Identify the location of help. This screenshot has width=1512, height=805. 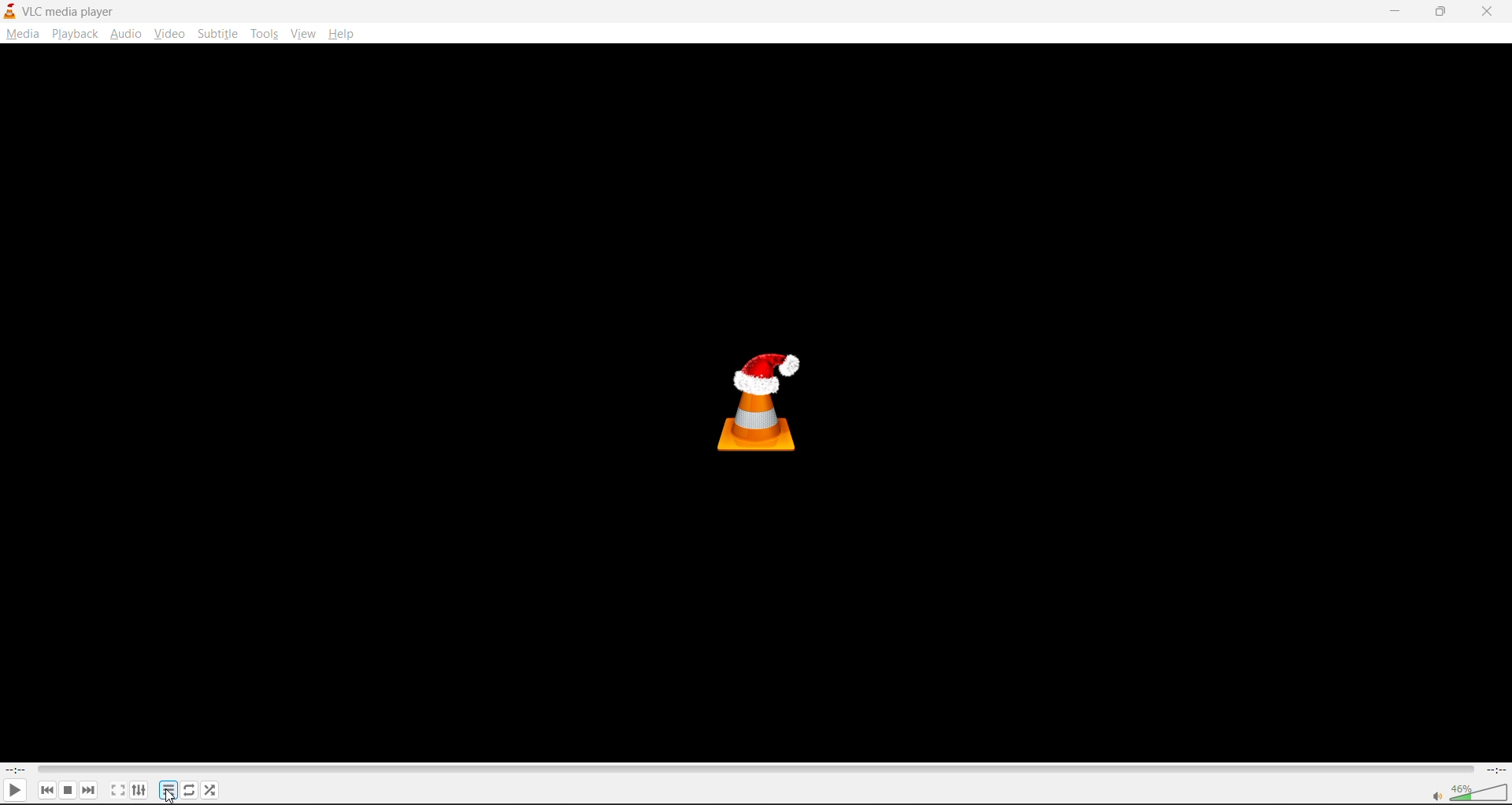
(340, 34).